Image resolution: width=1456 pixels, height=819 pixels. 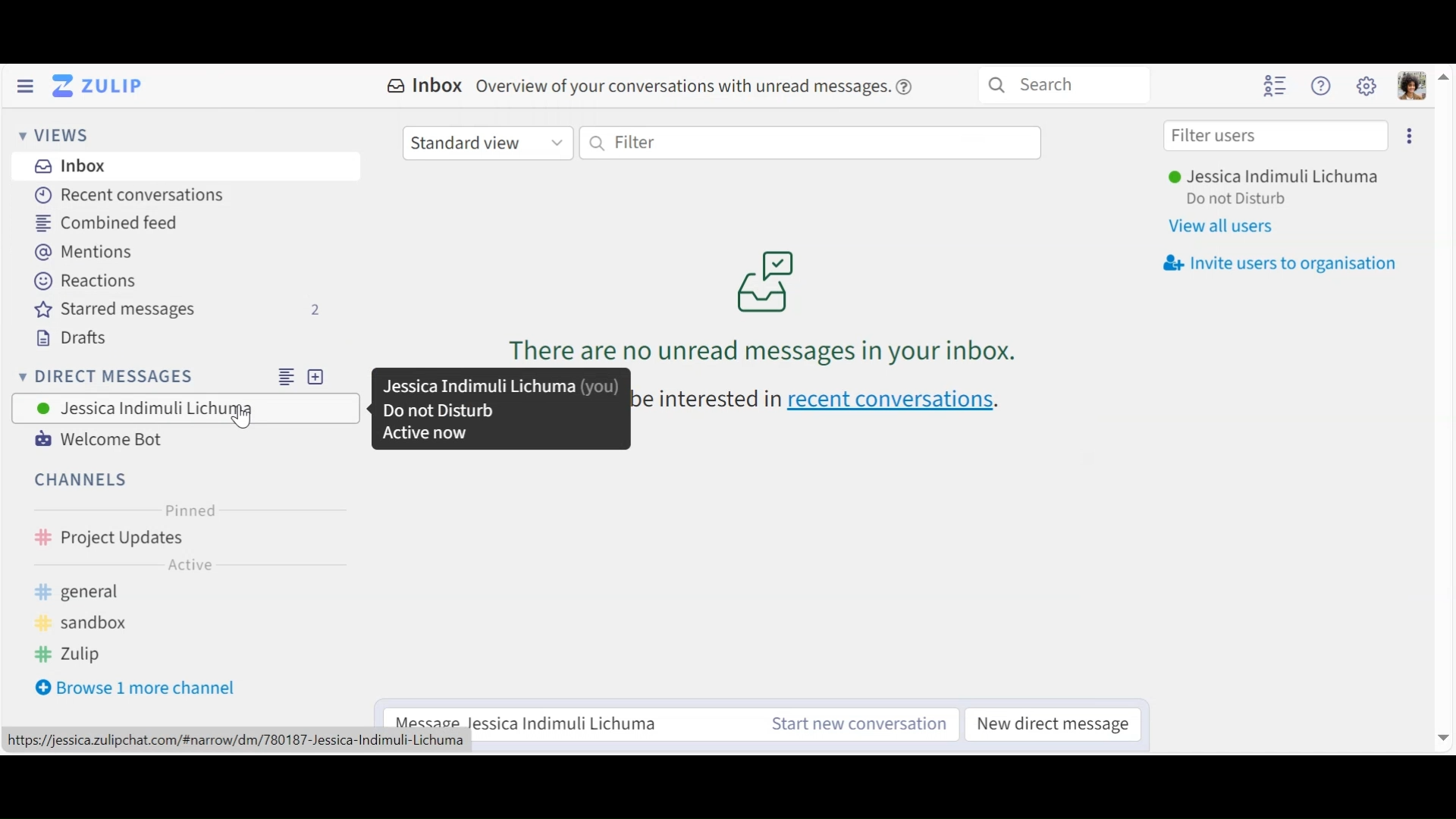 I want to click on eclipse, so click(x=1412, y=135).